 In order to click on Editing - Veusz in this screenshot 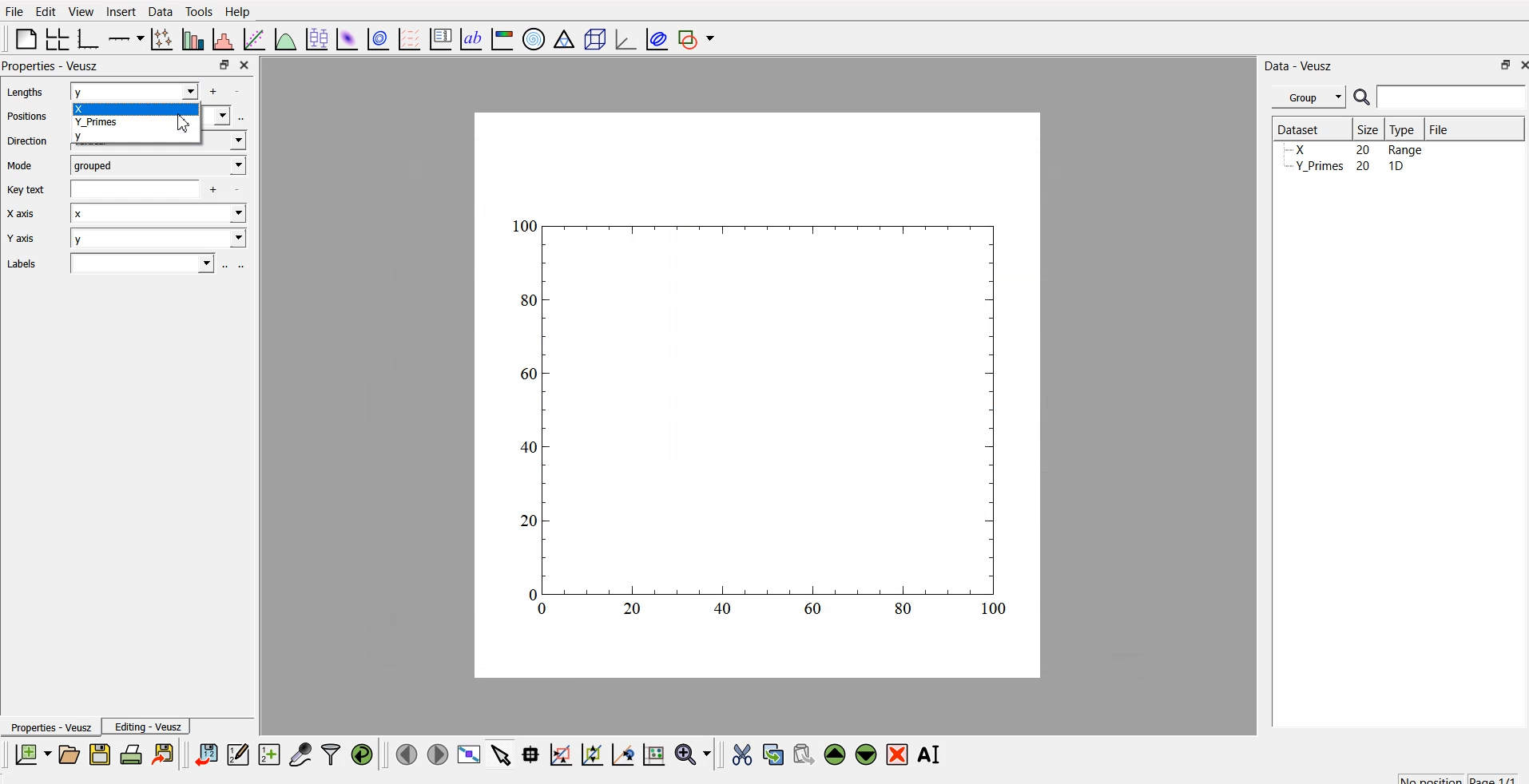, I will do `click(150, 727)`.